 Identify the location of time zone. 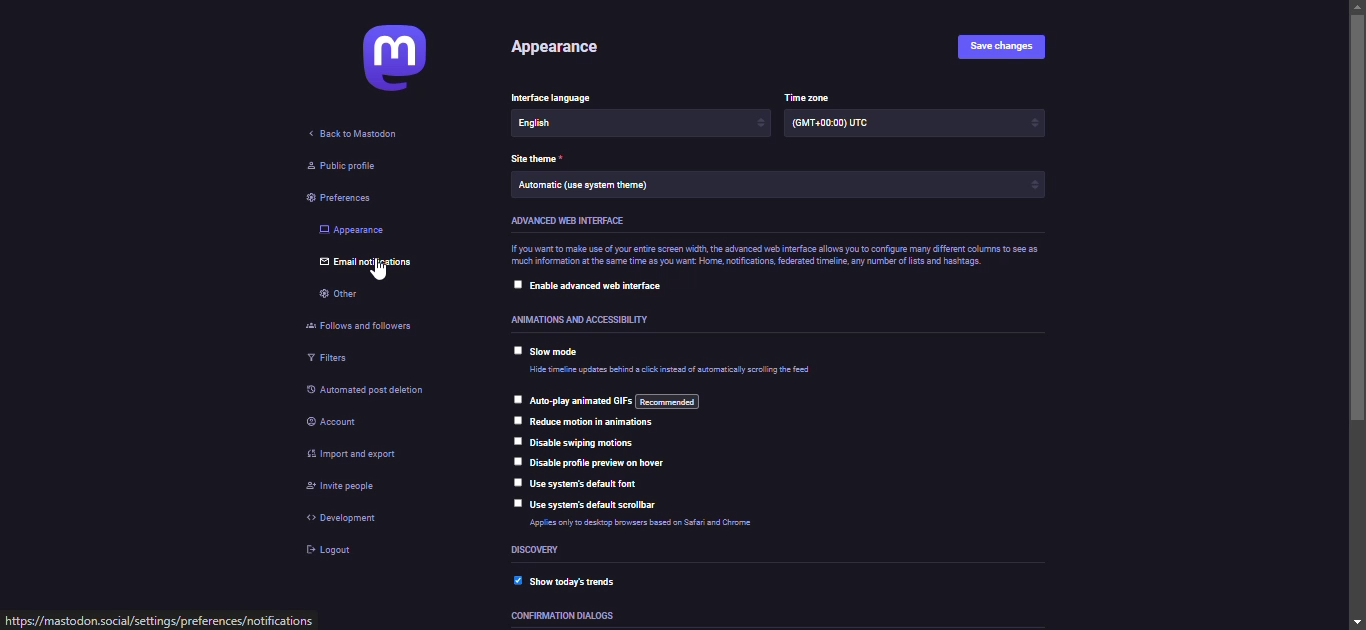
(832, 124).